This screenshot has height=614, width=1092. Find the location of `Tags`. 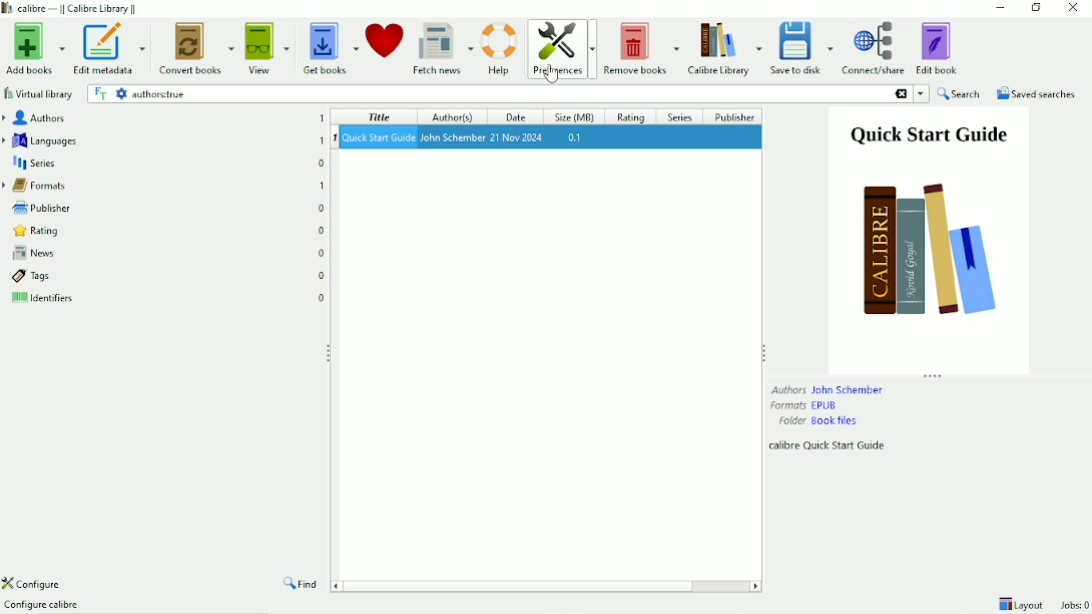

Tags is located at coordinates (166, 277).